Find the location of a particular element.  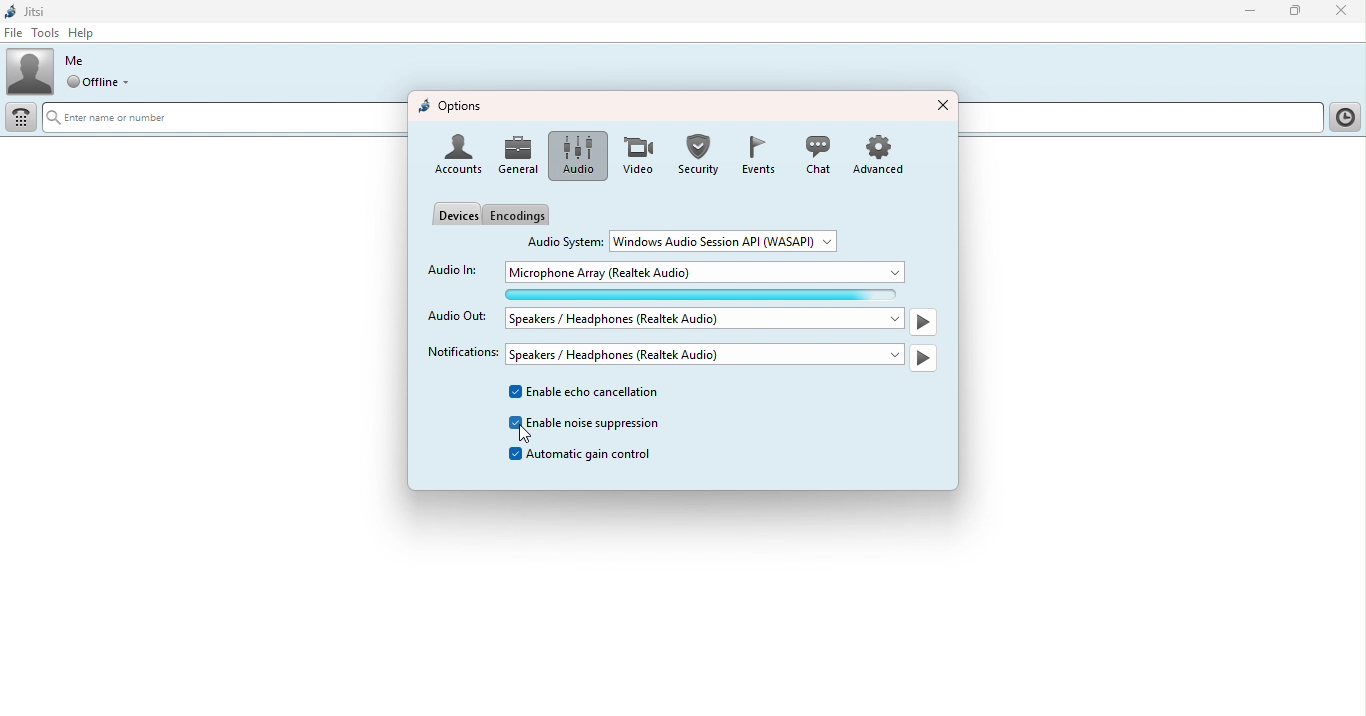

Enter name or number is located at coordinates (224, 119).